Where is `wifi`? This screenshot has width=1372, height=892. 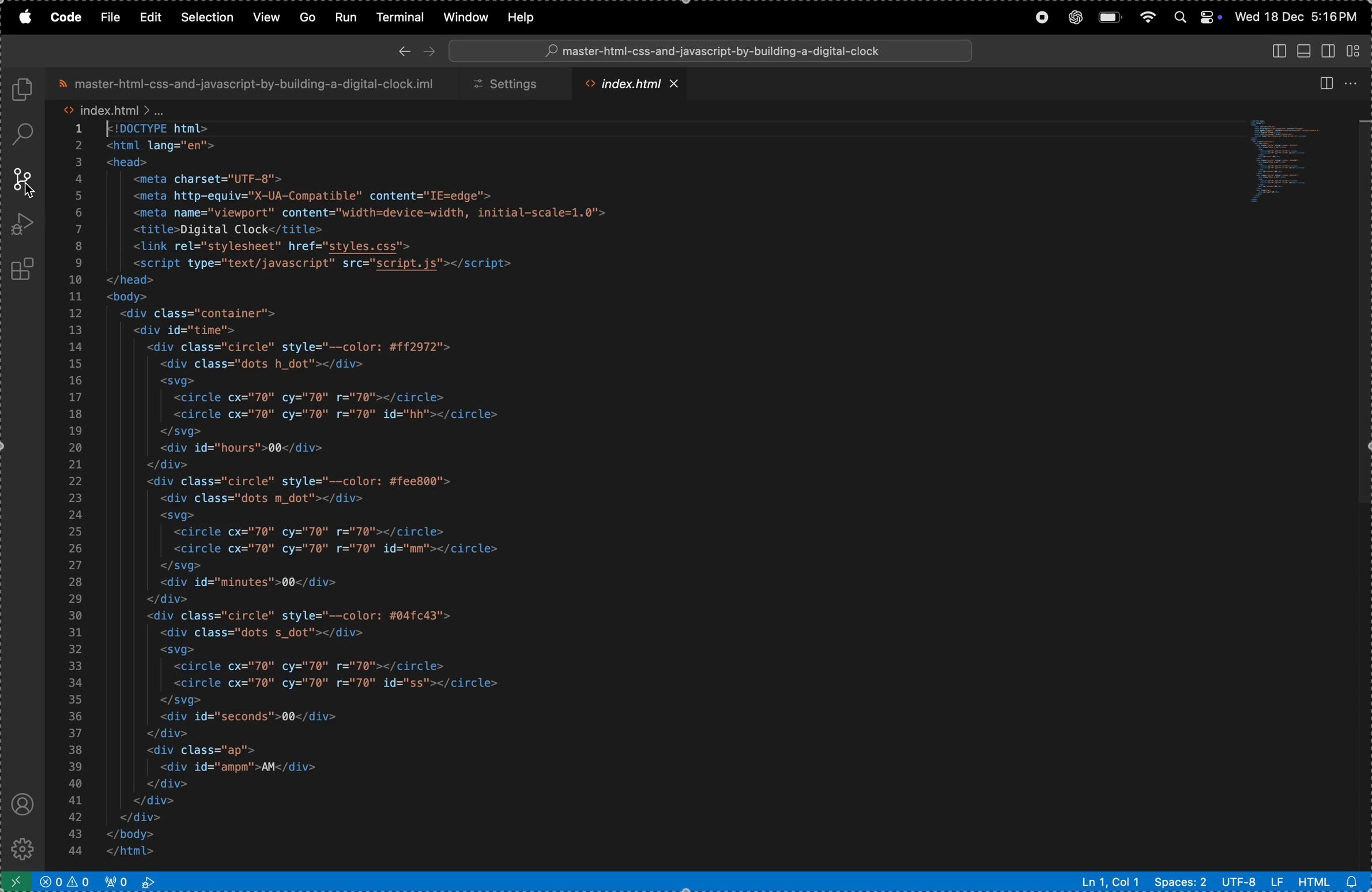
wifi is located at coordinates (1145, 18).